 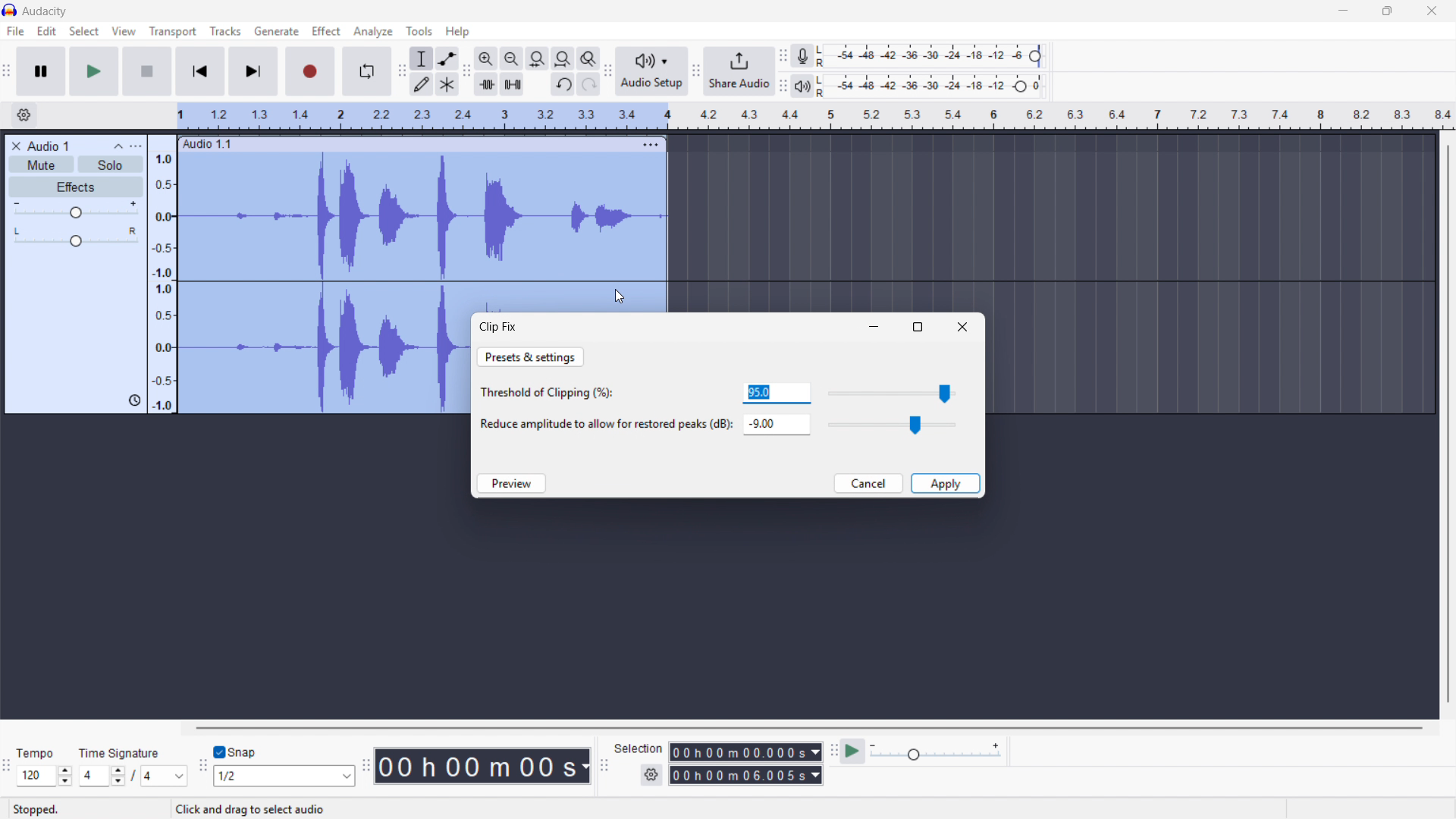 I want to click on Generate, so click(x=276, y=31).